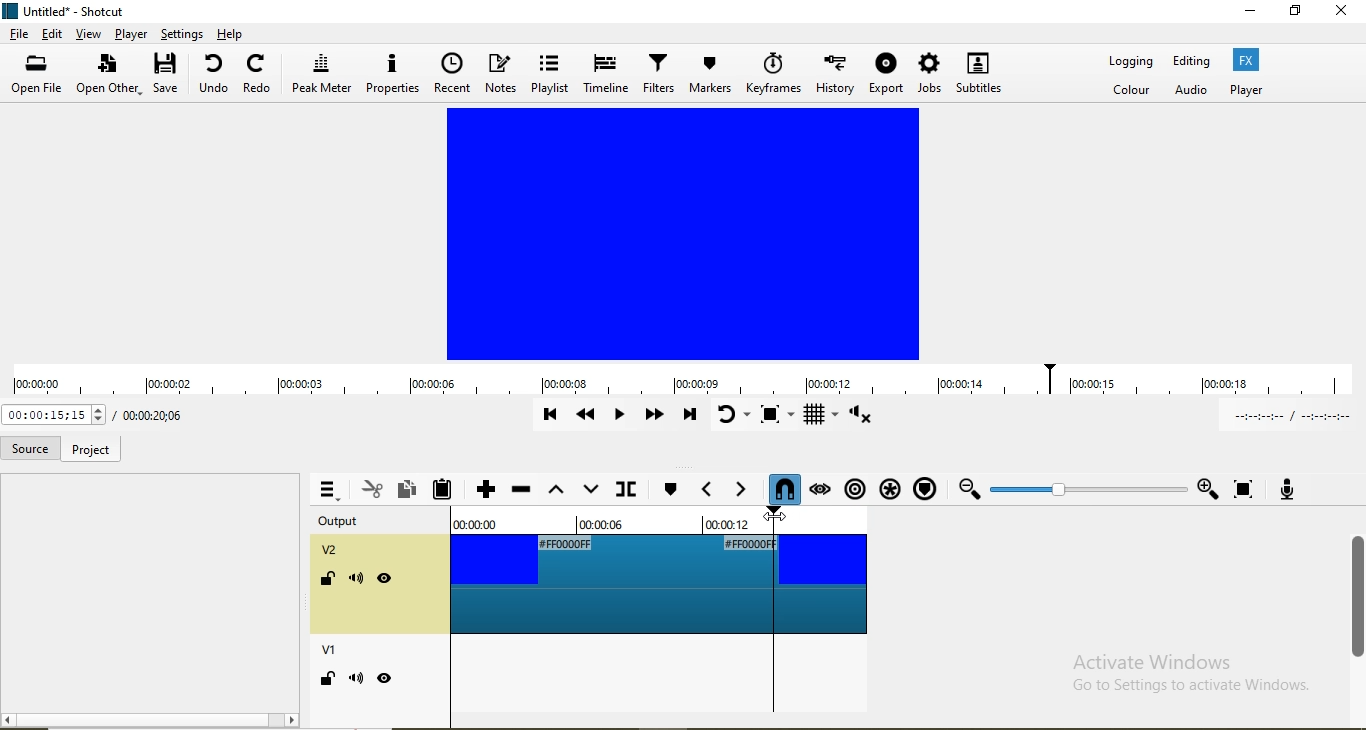 This screenshot has height=730, width=1366. Describe the element at coordinates (409, 488) in the screenshot. I see `Copy` at that location.